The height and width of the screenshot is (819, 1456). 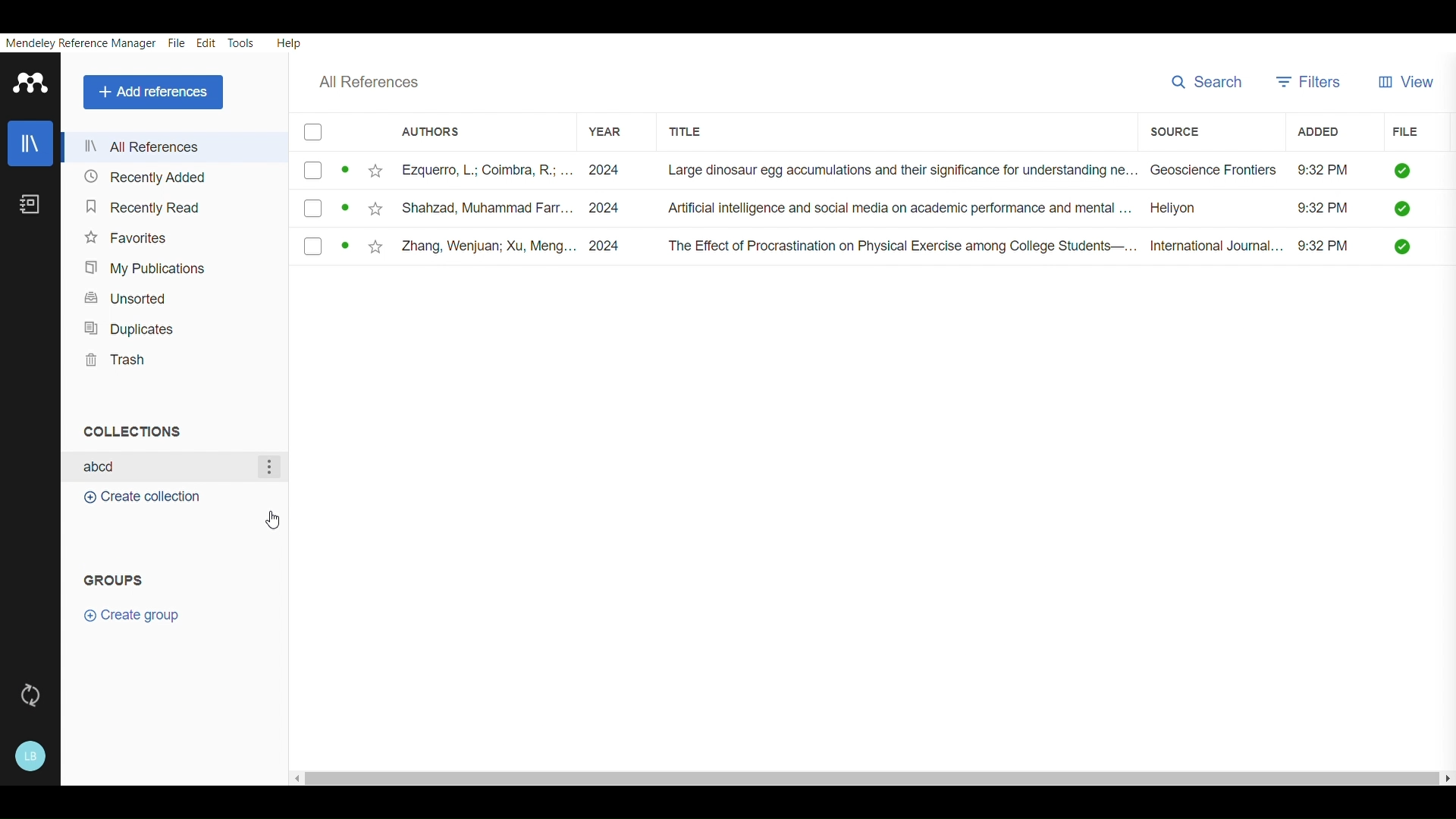 I want to click on Textbox, so click(x=176, y=467).